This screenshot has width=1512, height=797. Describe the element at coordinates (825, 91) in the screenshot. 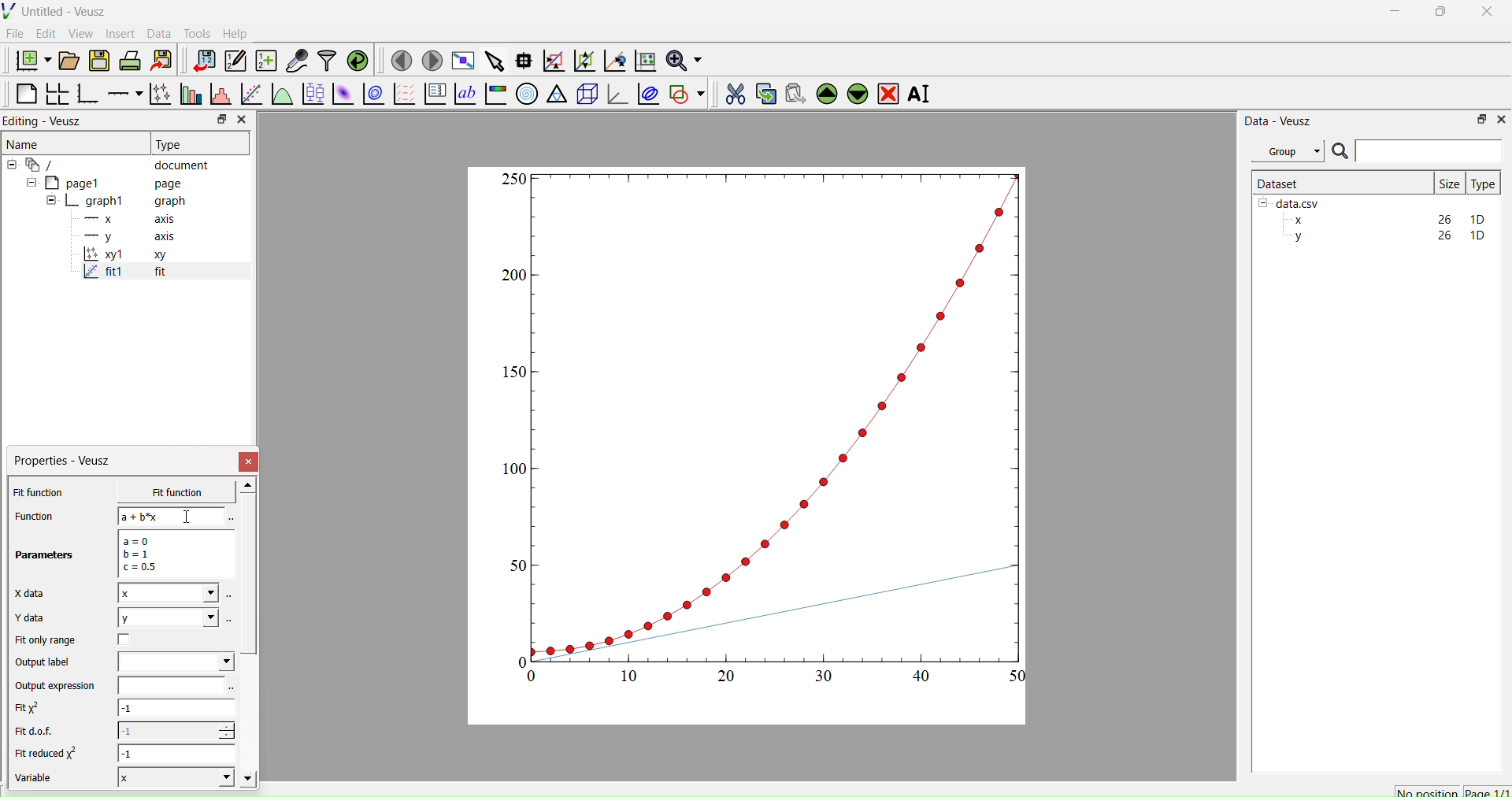

I see `Up` at that location.